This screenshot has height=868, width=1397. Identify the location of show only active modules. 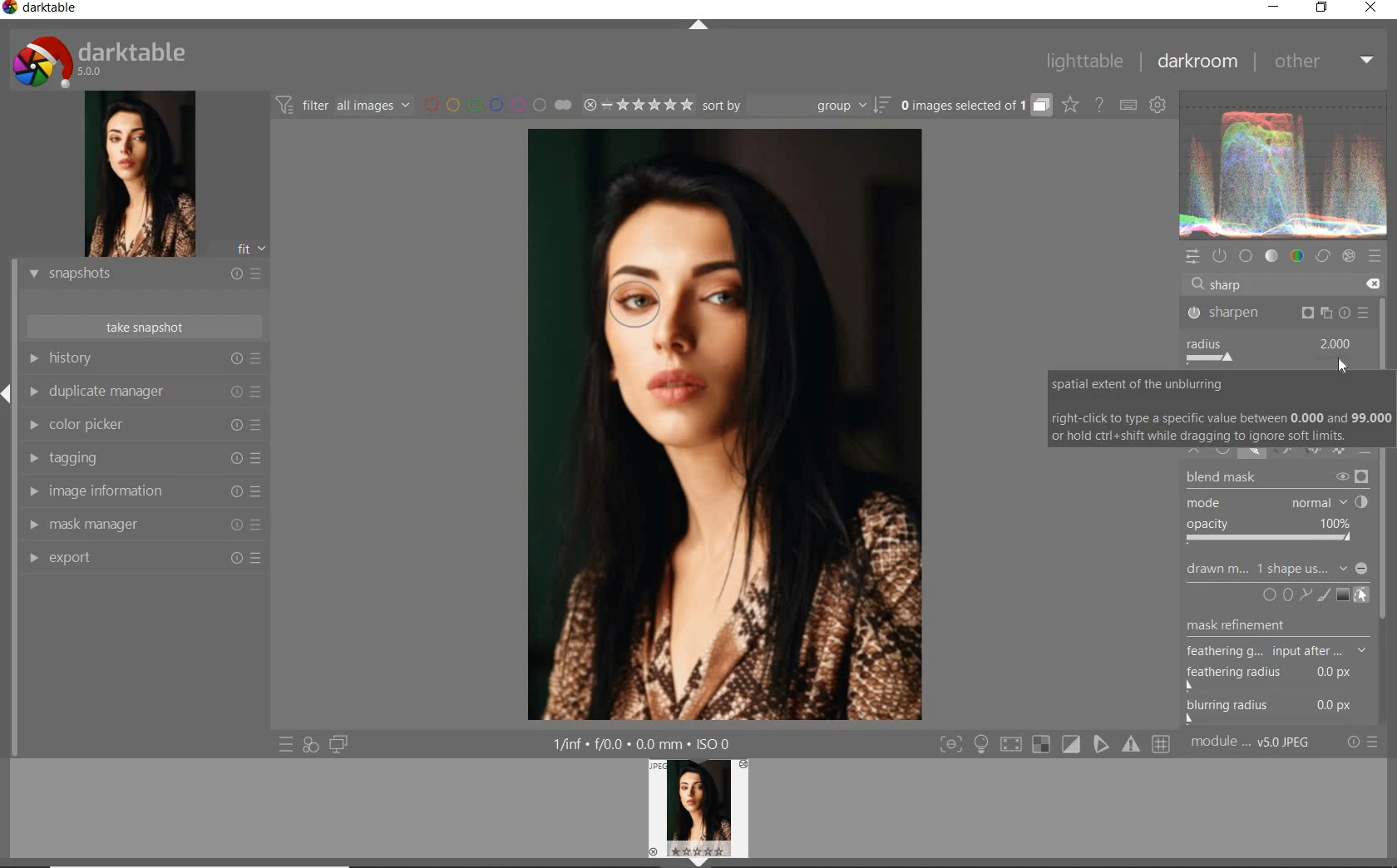
(1222, 255).